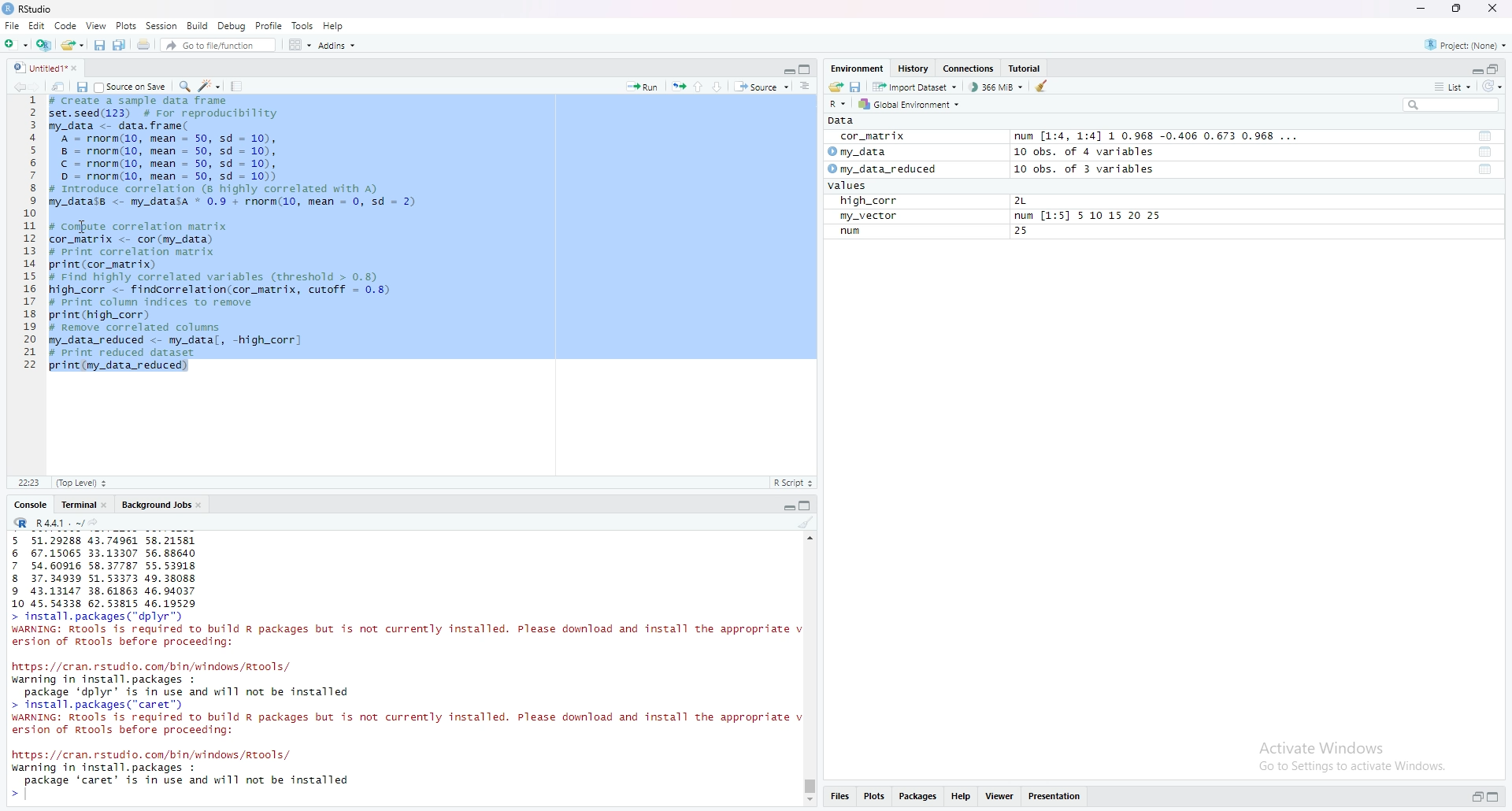 The height and width of the screenshot is (811, 1512). What do you see at coordinates (31, 505) in the screenshot?
I see `Console` at bounding box center [31, 505].